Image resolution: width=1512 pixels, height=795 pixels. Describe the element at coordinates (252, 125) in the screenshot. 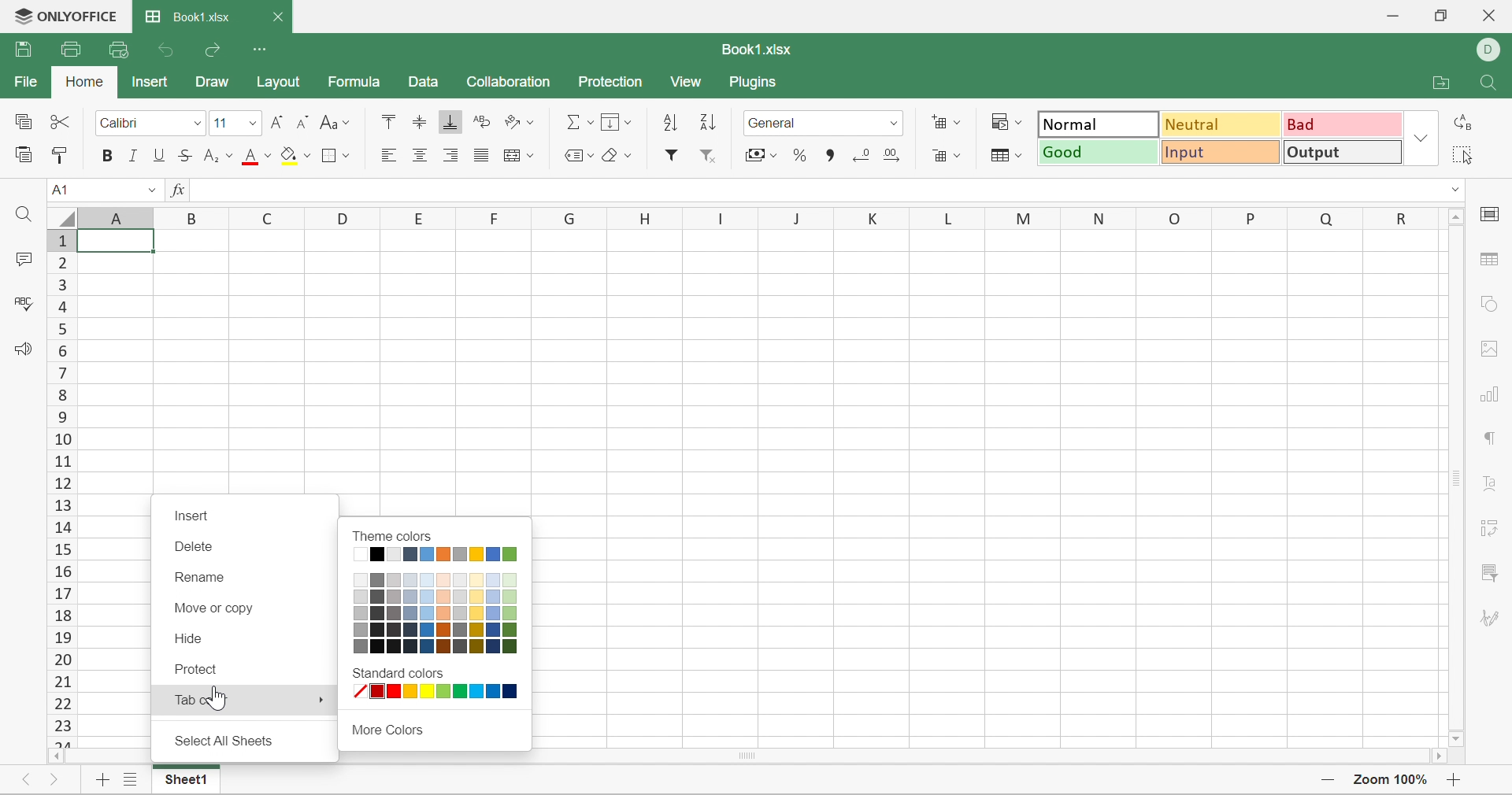

I see `Fonts dropdown` at that location.